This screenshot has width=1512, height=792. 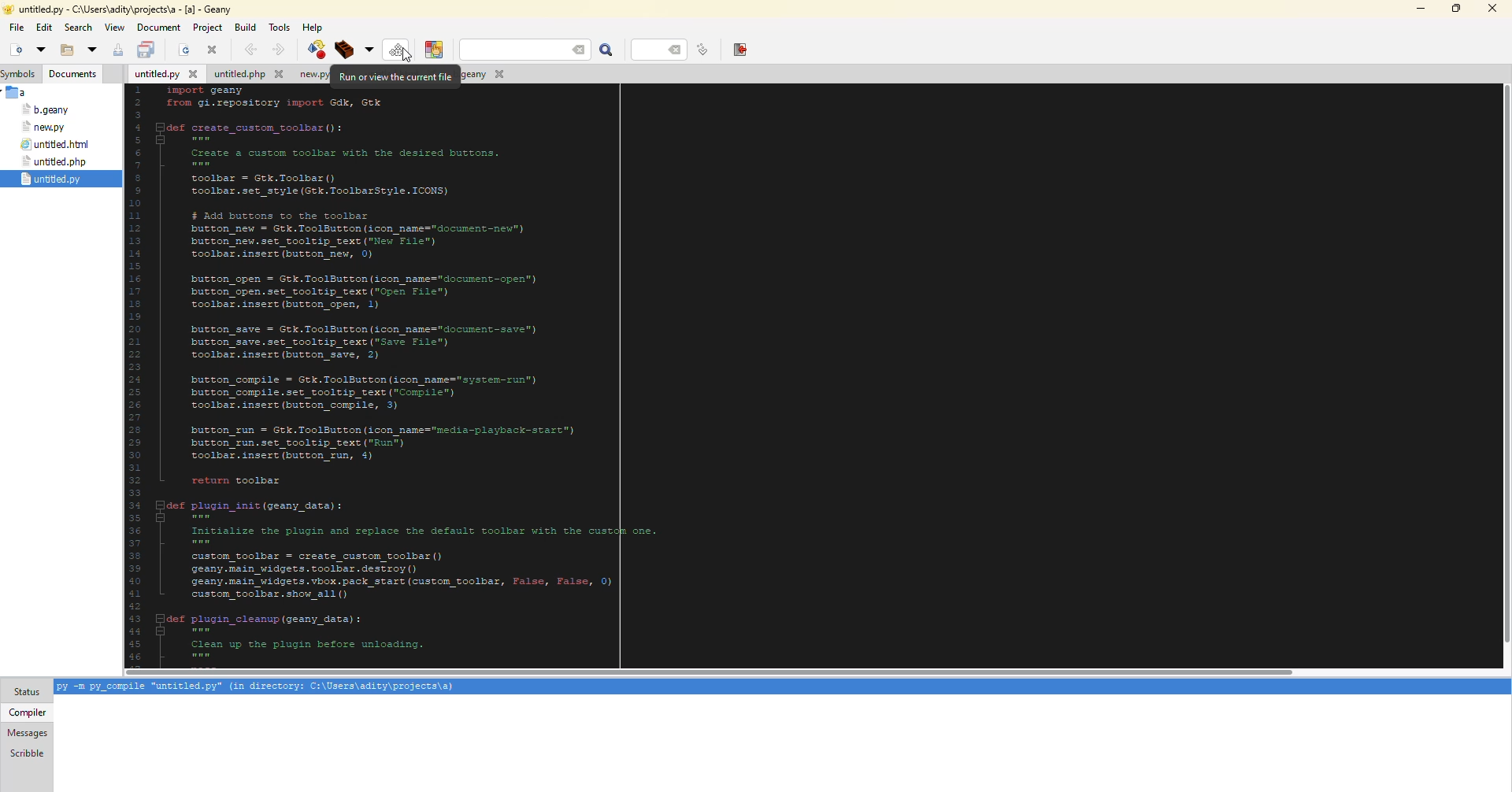 I want to click on run, so click(x=397, y=50).